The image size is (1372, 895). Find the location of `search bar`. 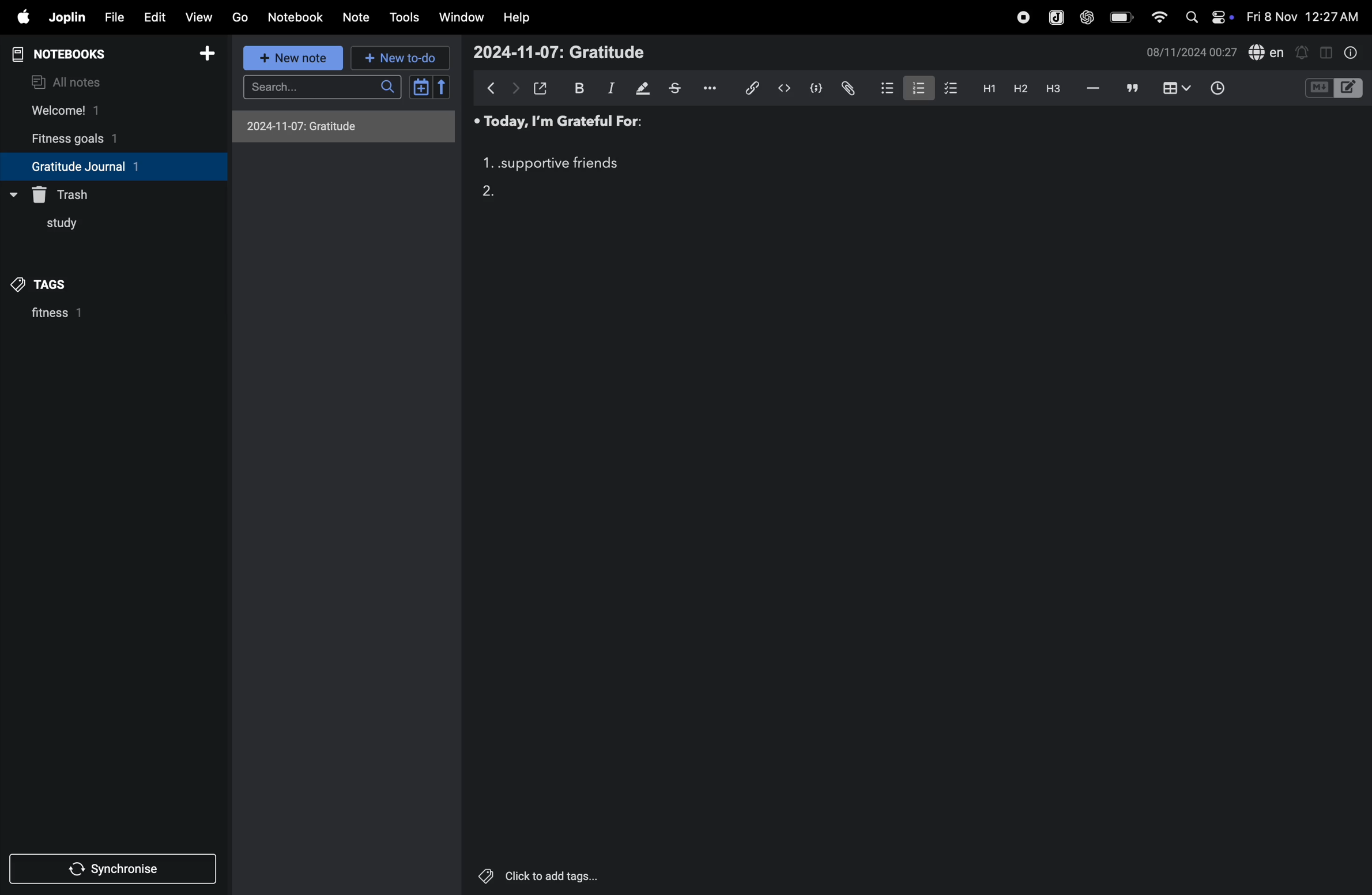

search bar is located at coordinates (326, 86).